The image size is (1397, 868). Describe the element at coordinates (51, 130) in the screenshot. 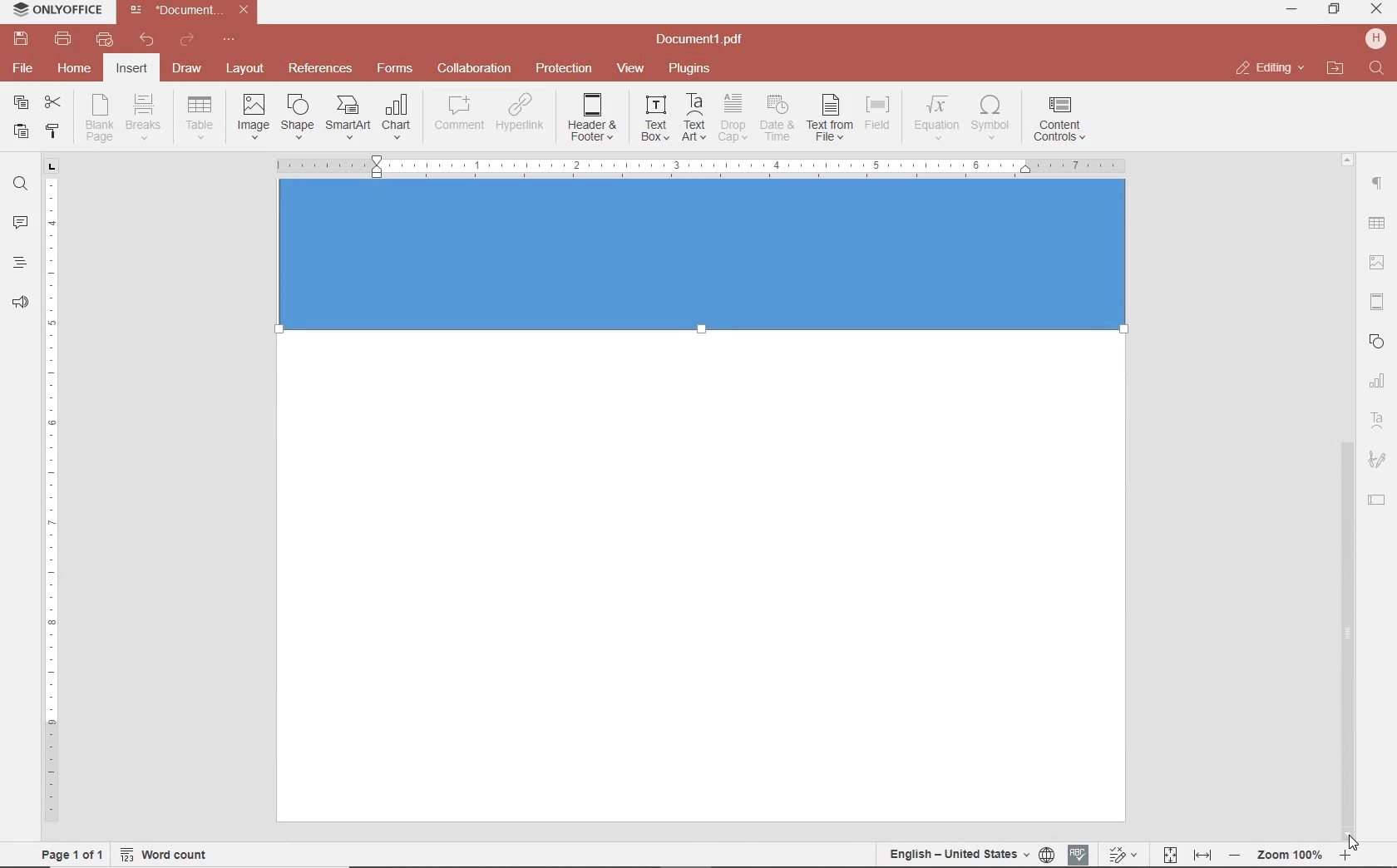

I see `copy style` at that location.